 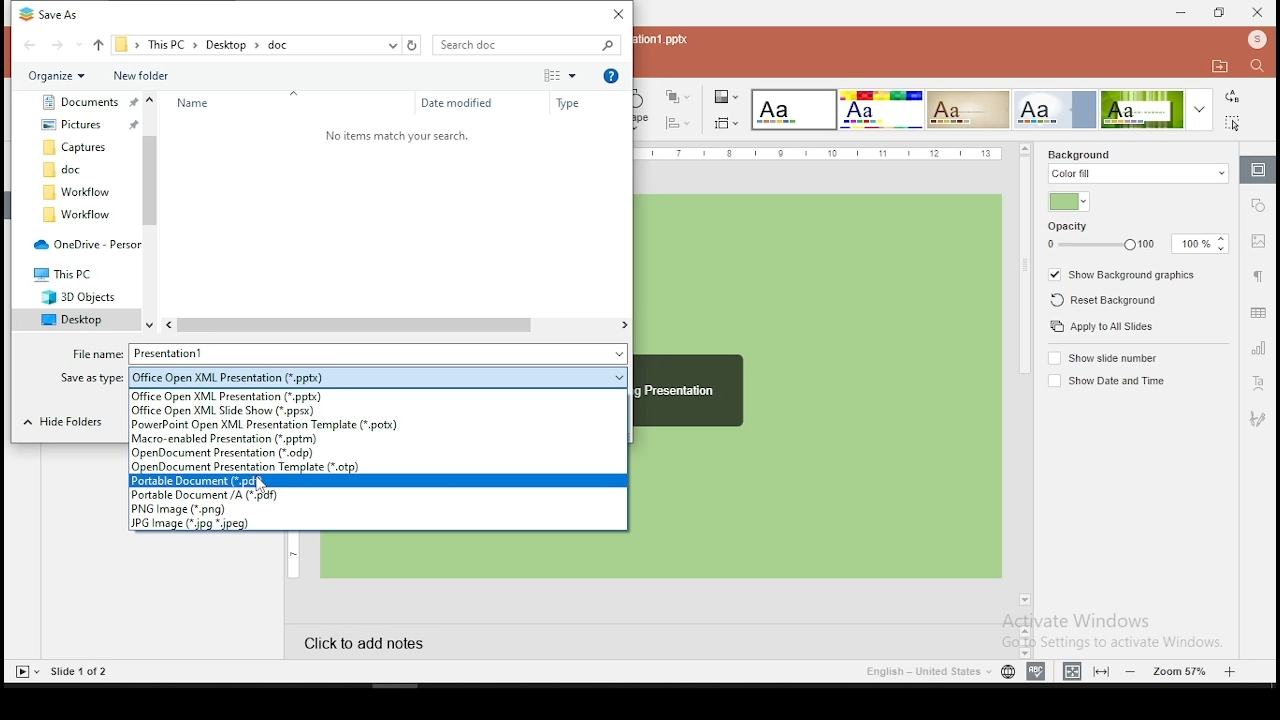 What do you see at coordinates (396, 325) in the screenshot?
I see `Horizontal scrollbar` at bounding box center [396, 325].